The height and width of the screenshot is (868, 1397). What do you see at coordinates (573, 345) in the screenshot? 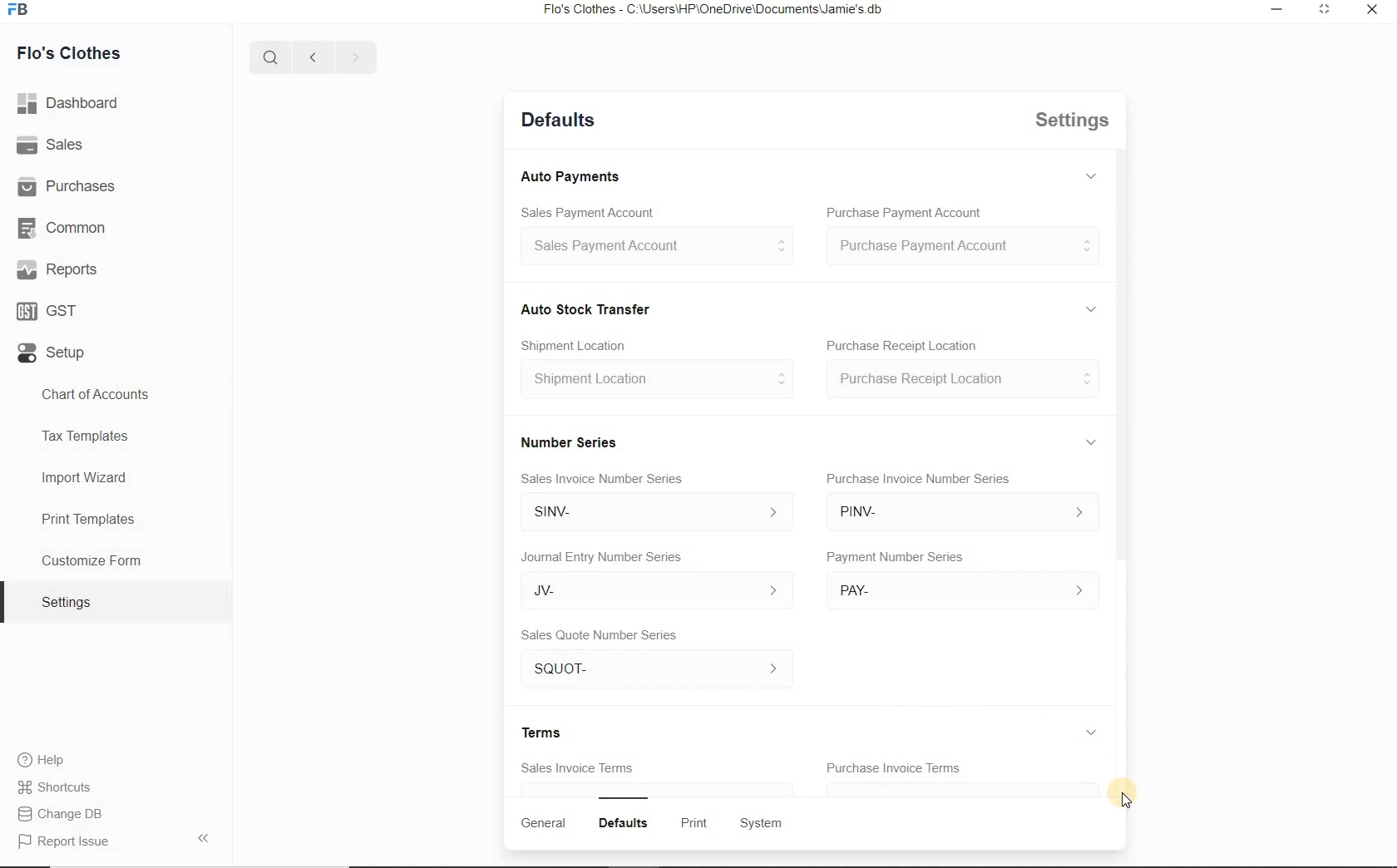
I see `Shipment Location` at bounding box center [573, 345].